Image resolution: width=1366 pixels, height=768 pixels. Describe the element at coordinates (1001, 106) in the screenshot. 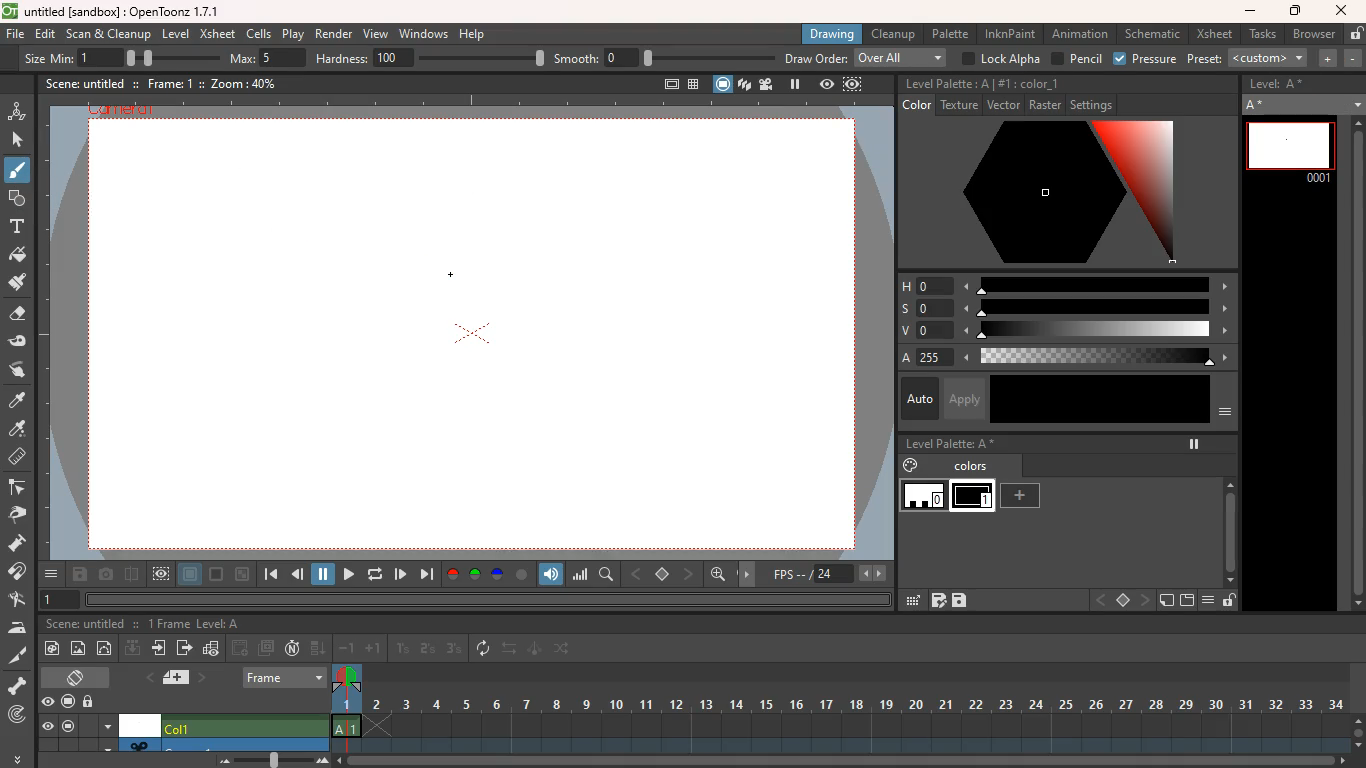

I see `vector` at that location.